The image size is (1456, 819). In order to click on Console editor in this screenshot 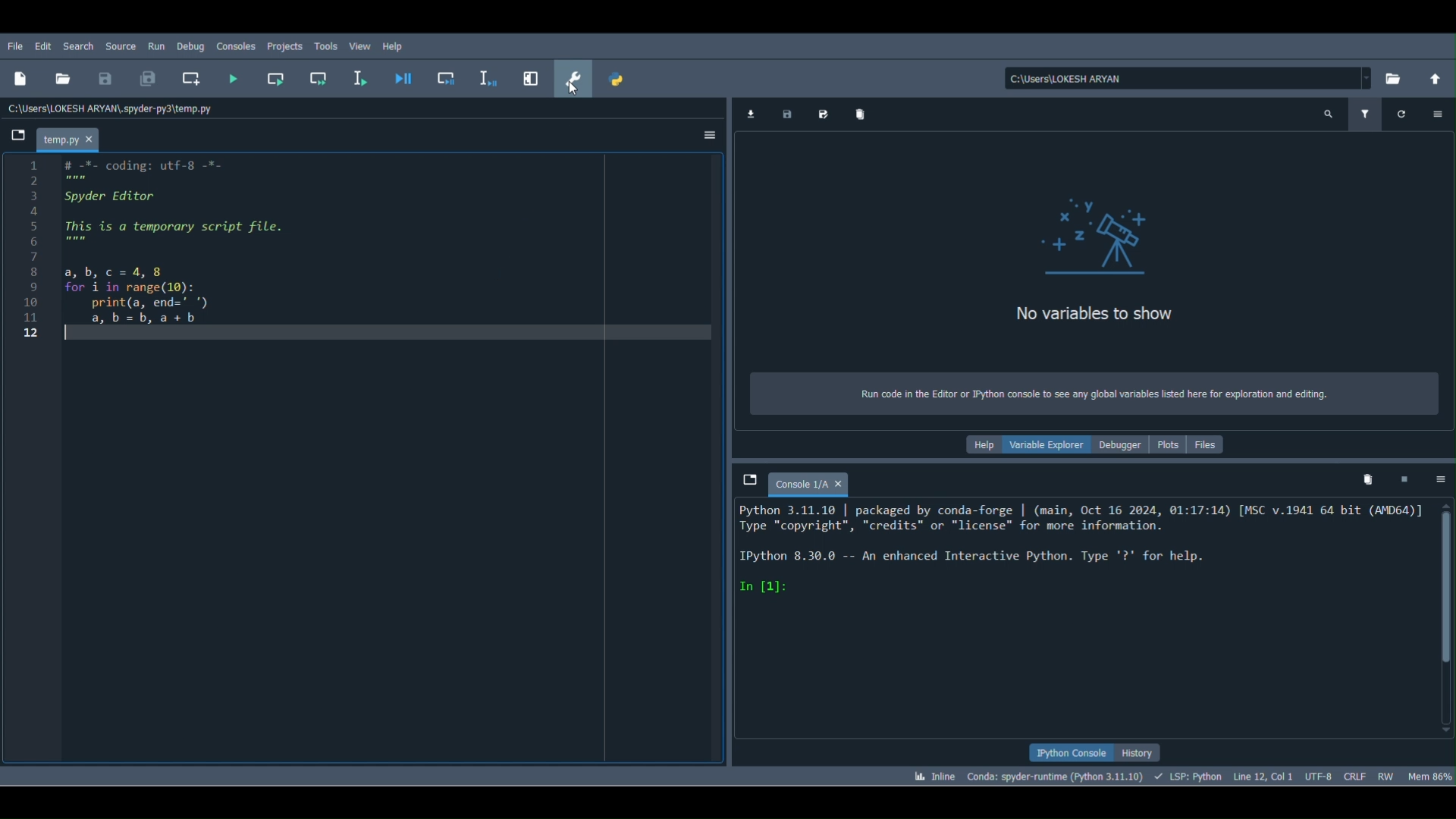, I will do `click(744, 618)`.